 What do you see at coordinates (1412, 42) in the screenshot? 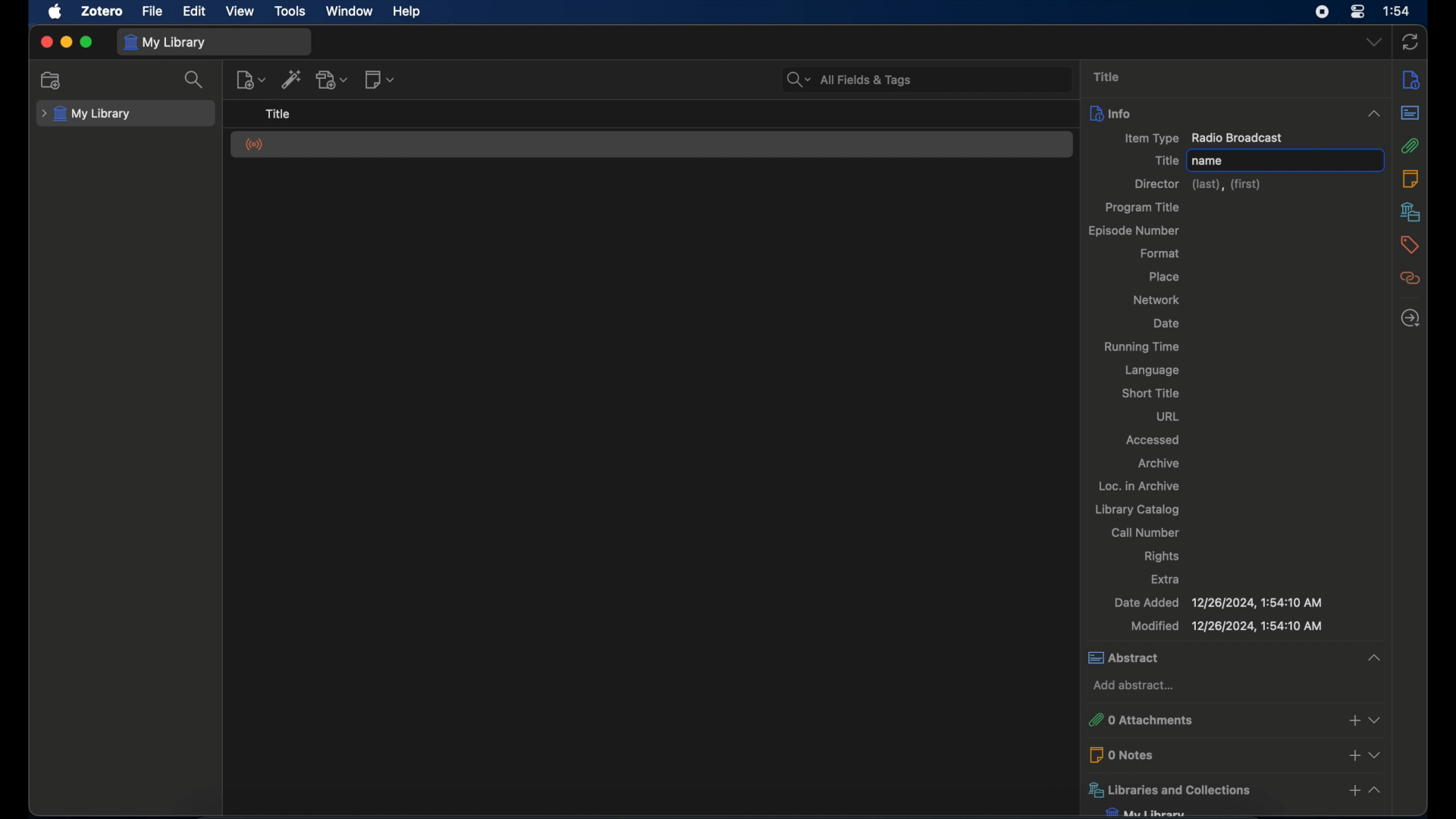
I see `sync` at bounding box center [1412, 42].